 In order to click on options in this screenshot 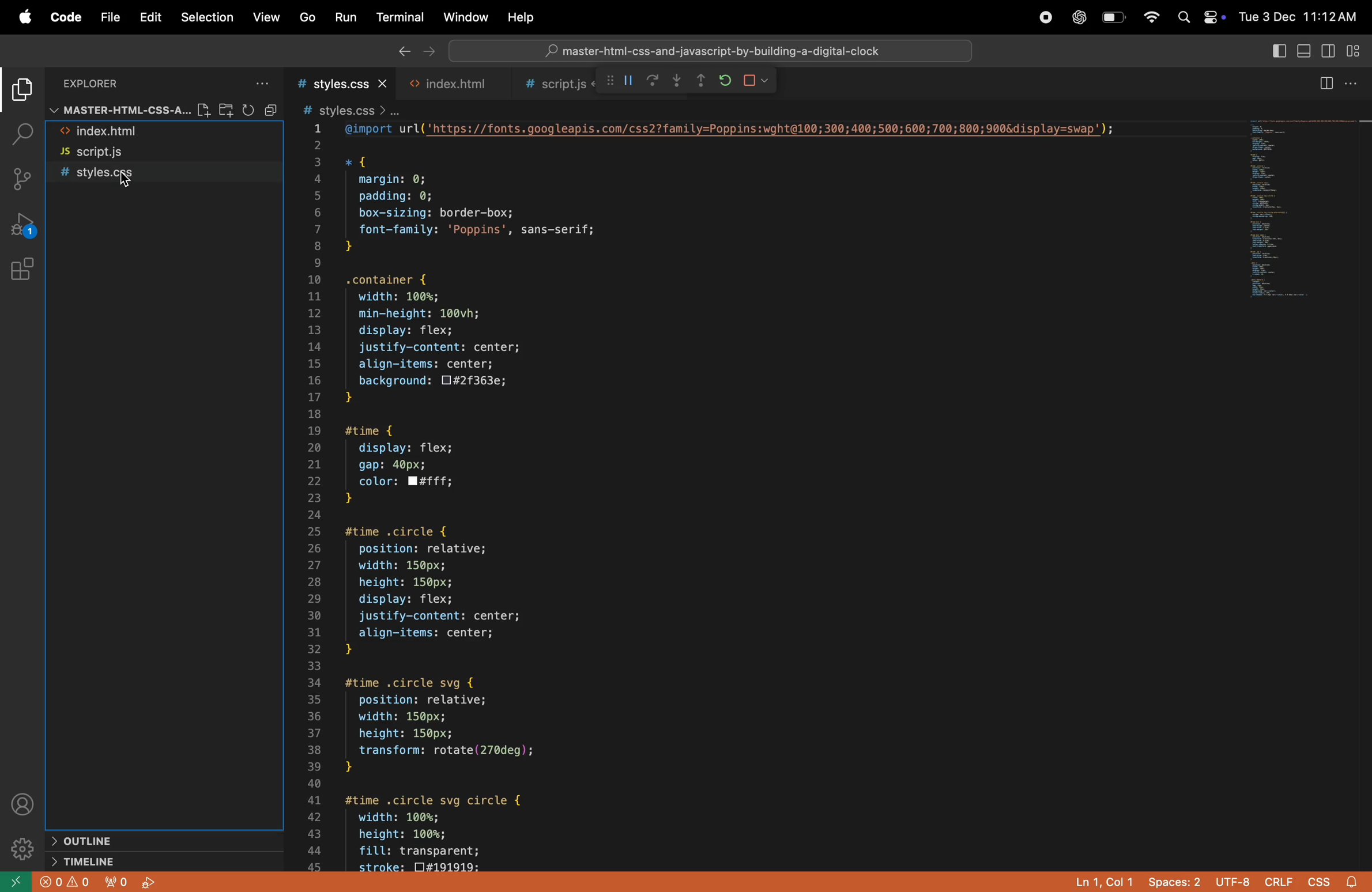, I will do `click(267, 84)`.